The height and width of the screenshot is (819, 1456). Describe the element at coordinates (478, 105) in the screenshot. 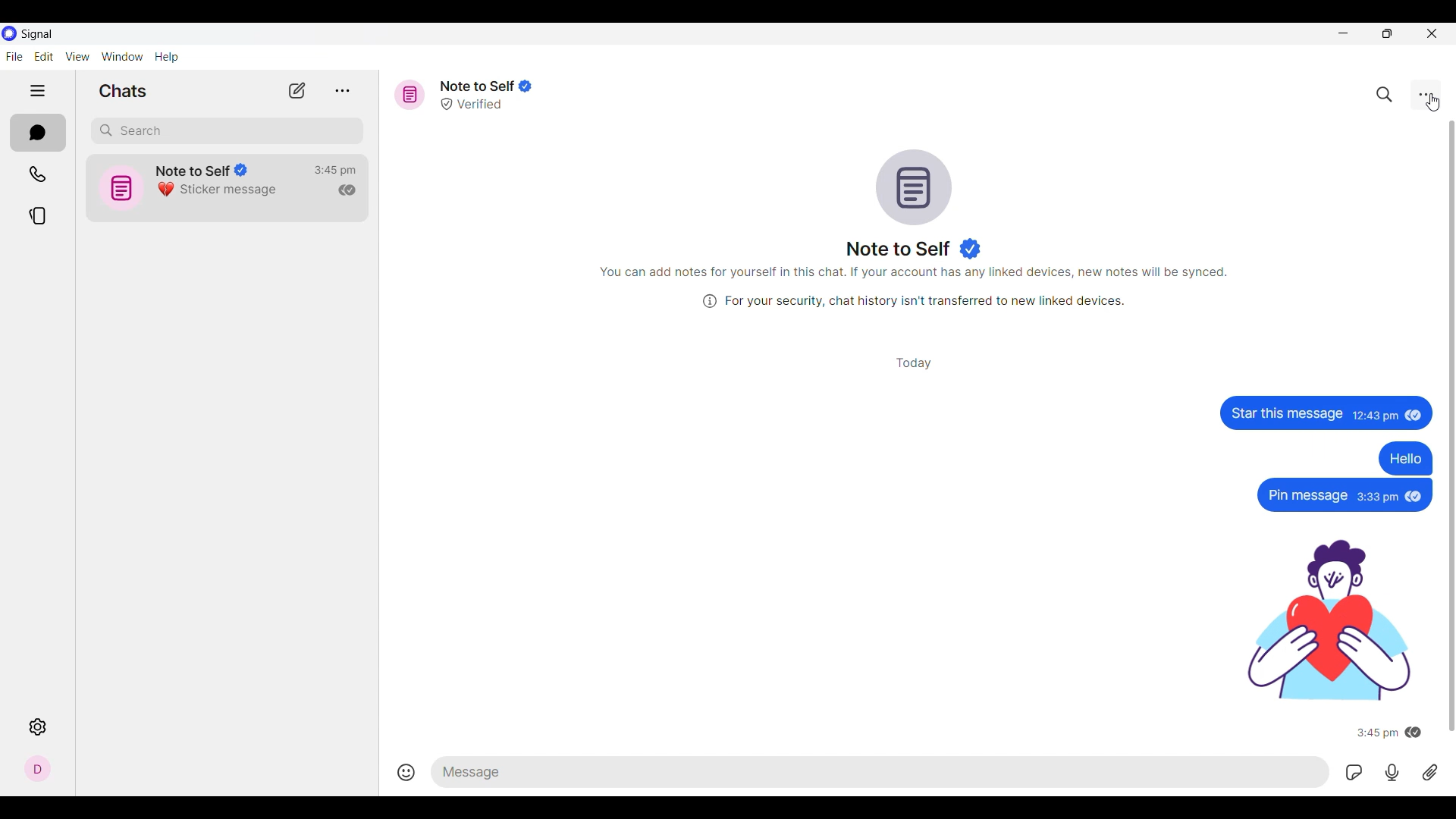

I see `Verified` at that location.